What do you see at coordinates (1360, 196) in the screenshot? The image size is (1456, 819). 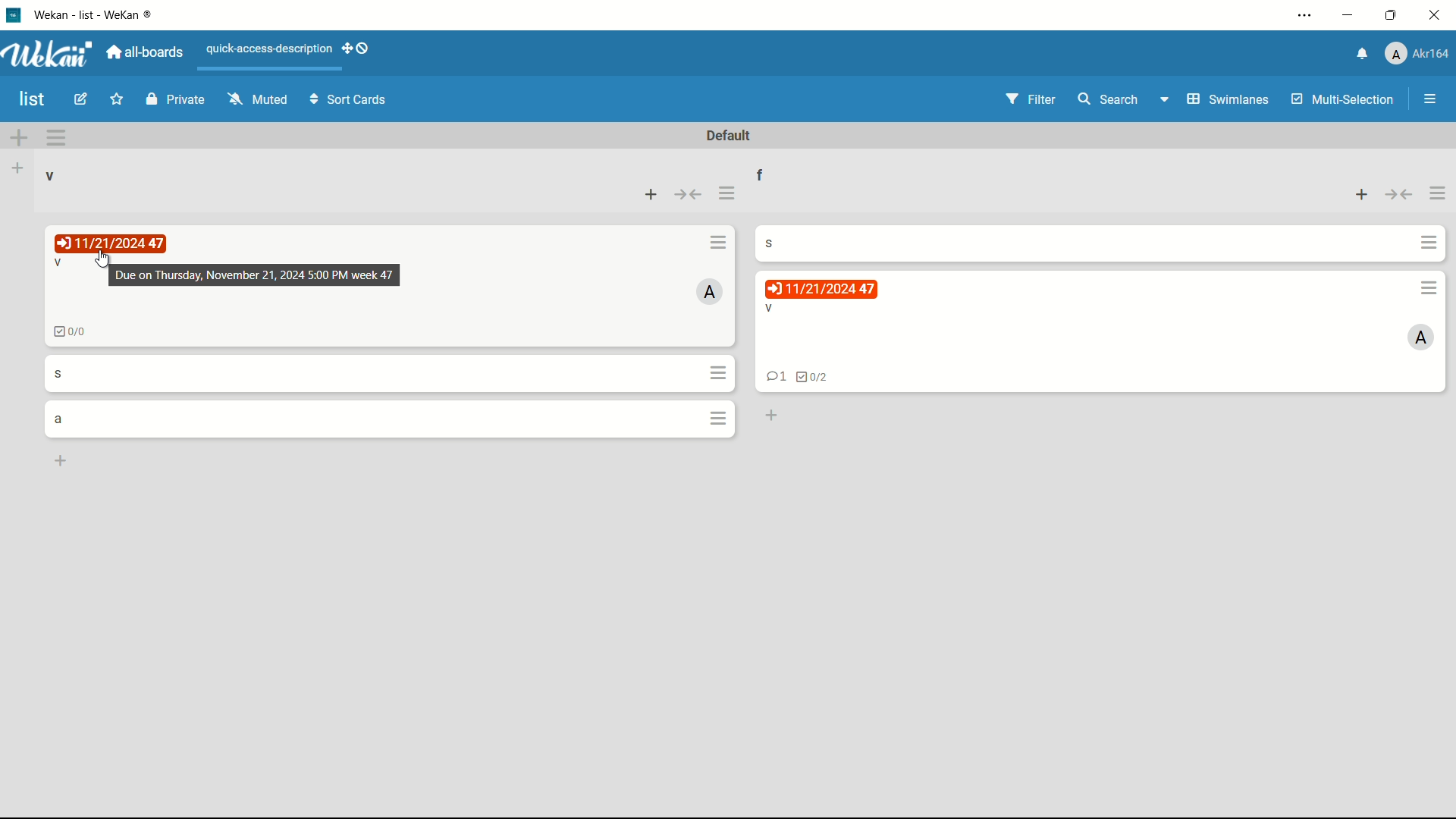 I see `add card to top of list` at bounding box center [1360, 196].